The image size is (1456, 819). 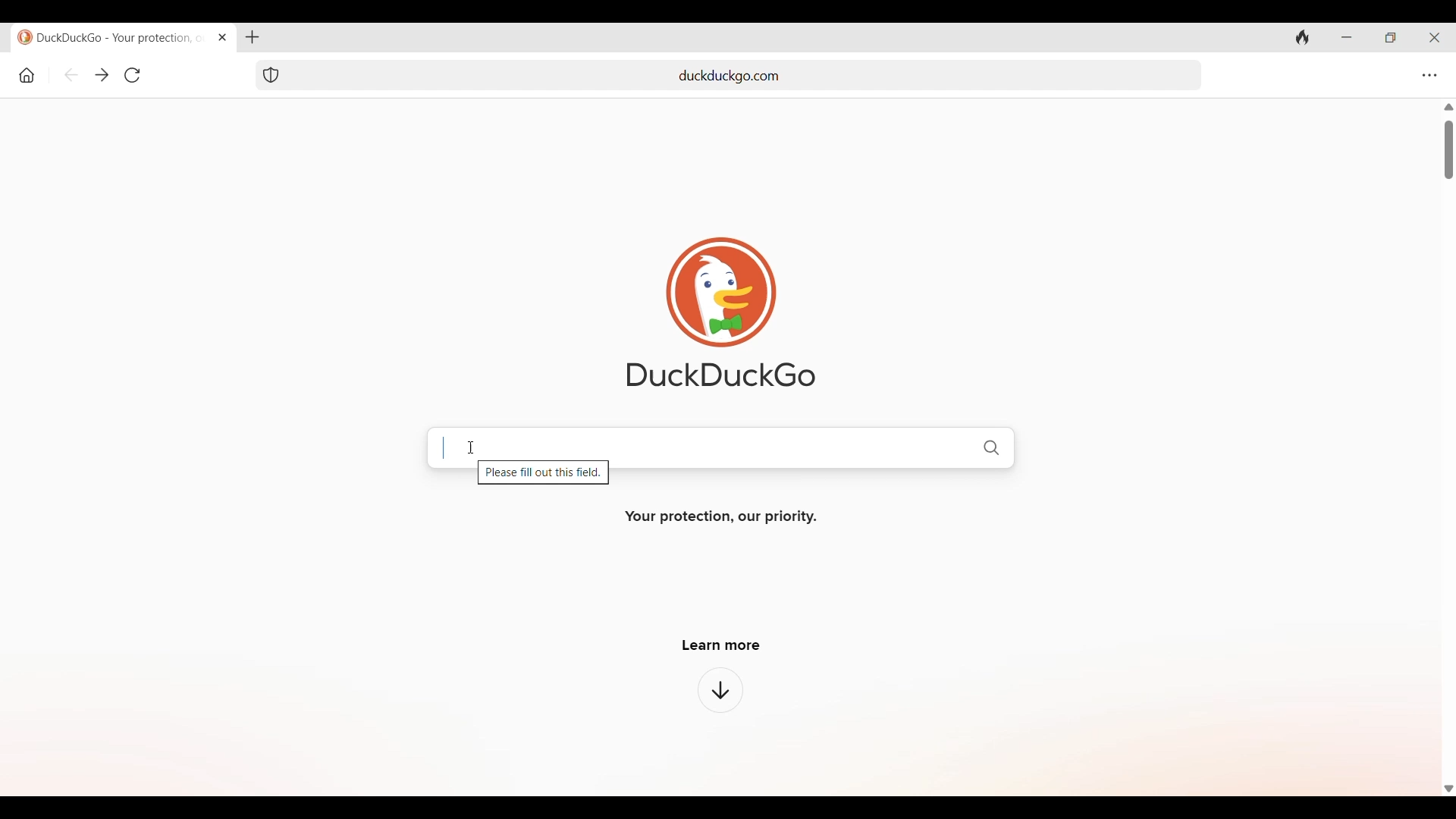 What do you see at coordinates (1347, 38) in the screenshot?
I see `Minimize` at bounding box center [1347, 38].